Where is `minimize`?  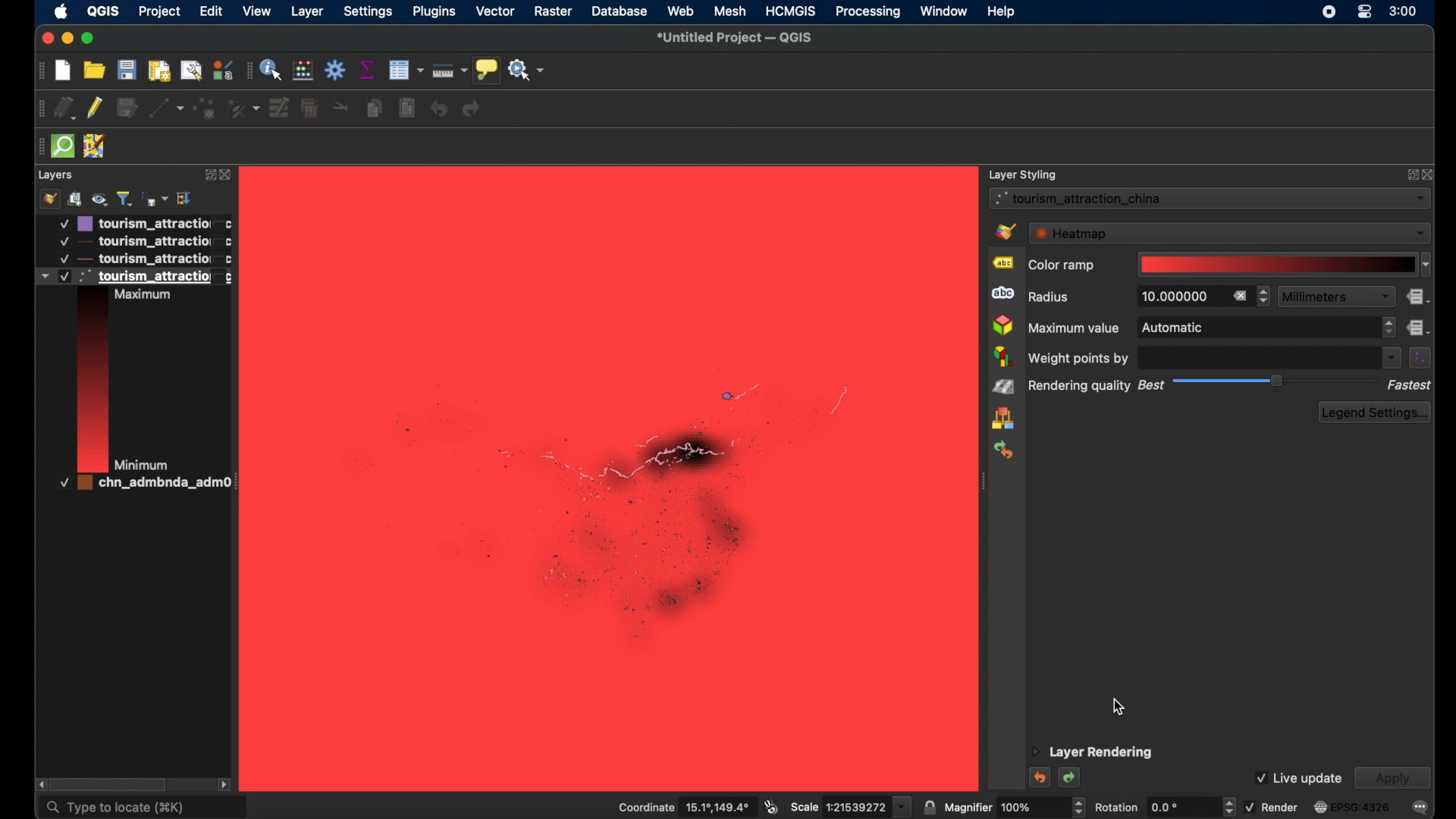
minimize is located at coordinates (68, 39).